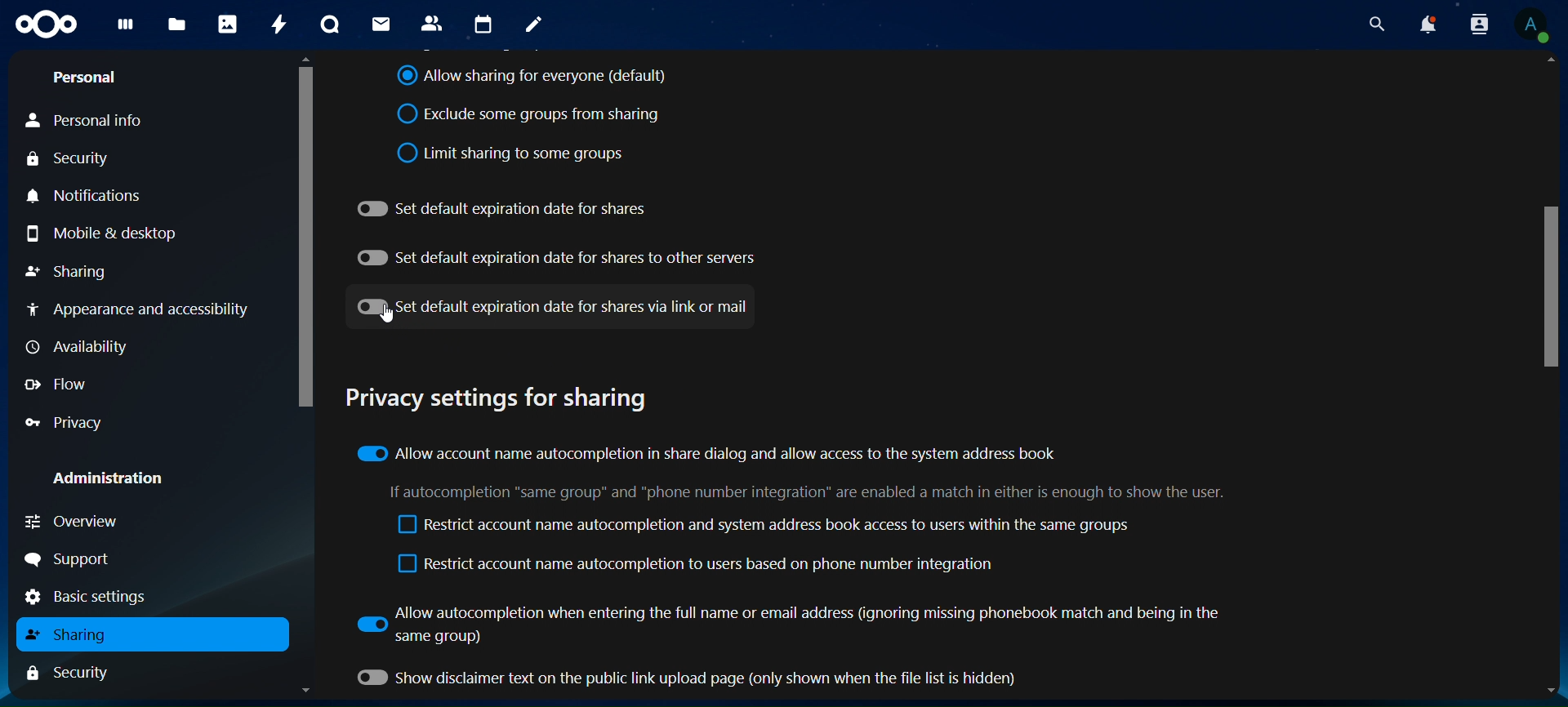 The height and width of the screenshot is (707, 1568). I want to click on calendar, so click(482, 23).